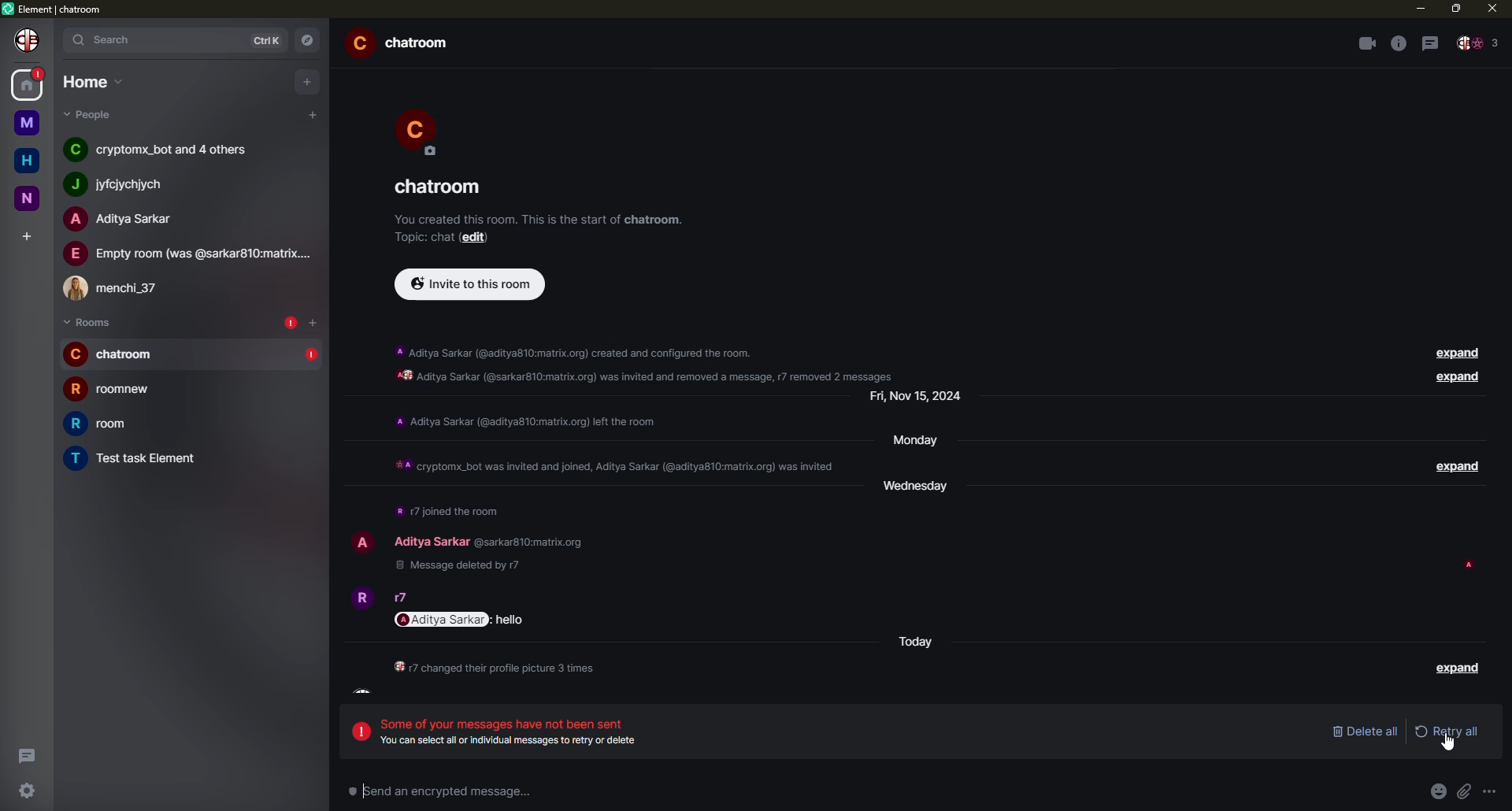 Image resolution: width=1512 pixels, height=811 pixels. Describe the element at coordinates (512, 730) in the screenshot. I see `message error` at that location.